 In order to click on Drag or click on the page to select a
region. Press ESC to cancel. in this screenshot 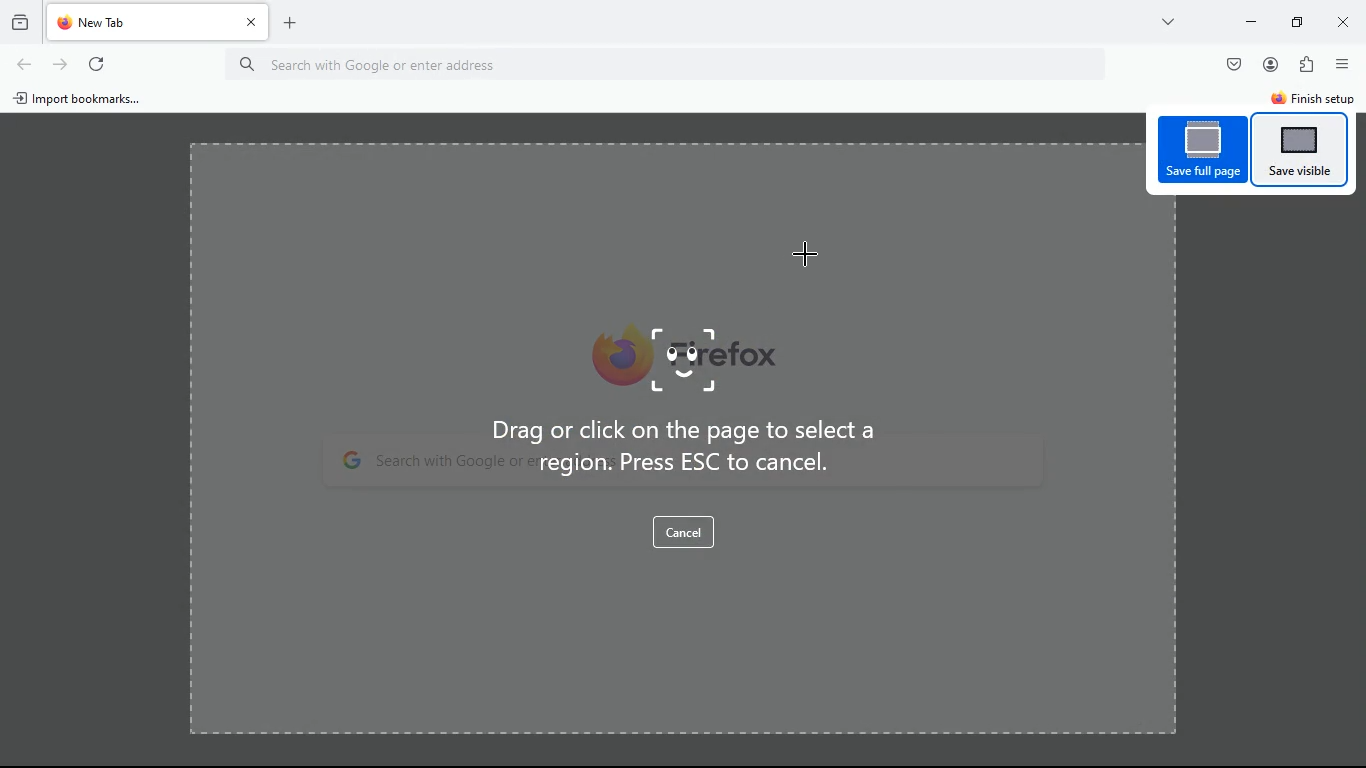, I will do `click(681, 448)`.